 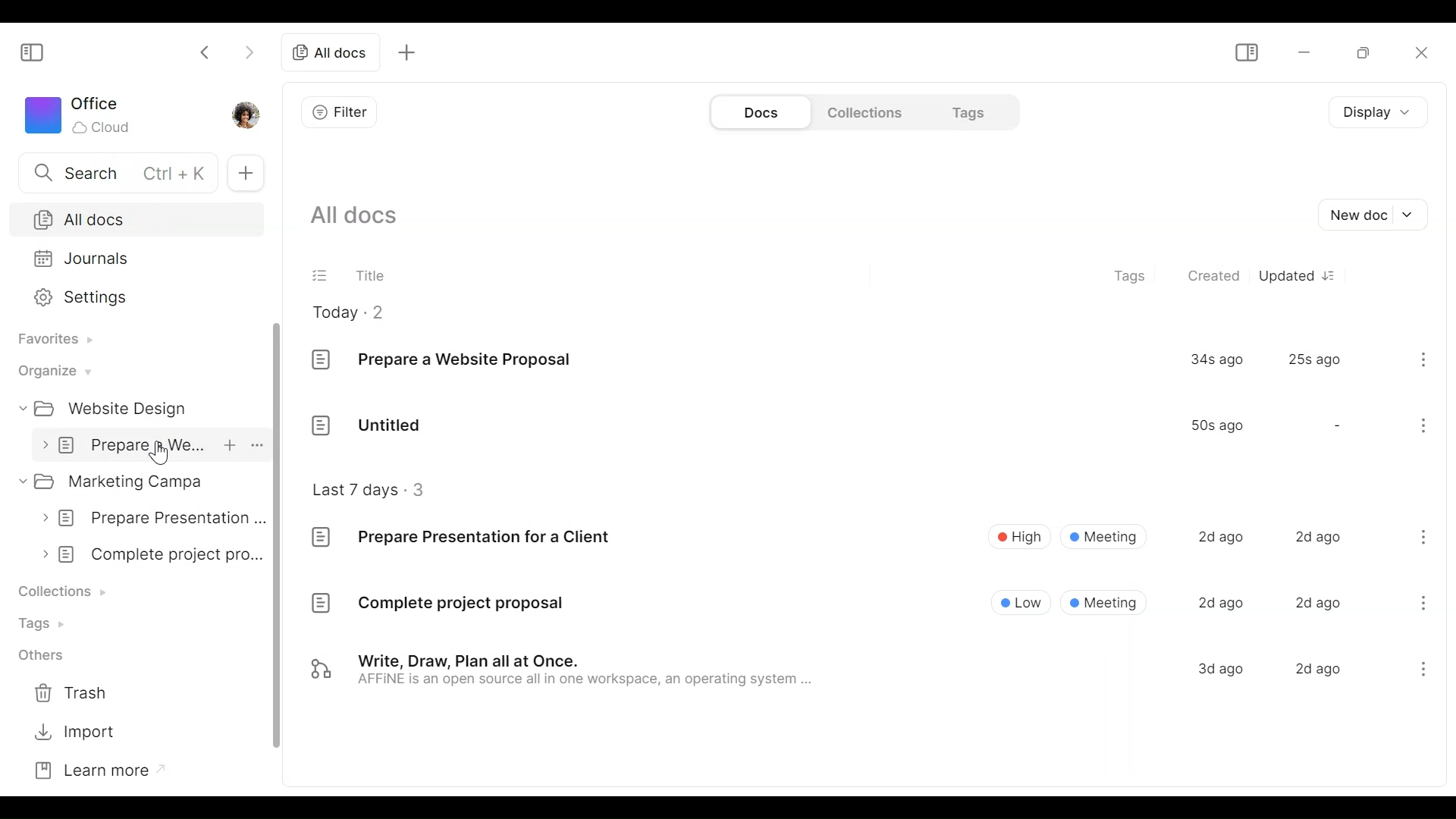 I want to click on Collections, so click(x=867, y=111).